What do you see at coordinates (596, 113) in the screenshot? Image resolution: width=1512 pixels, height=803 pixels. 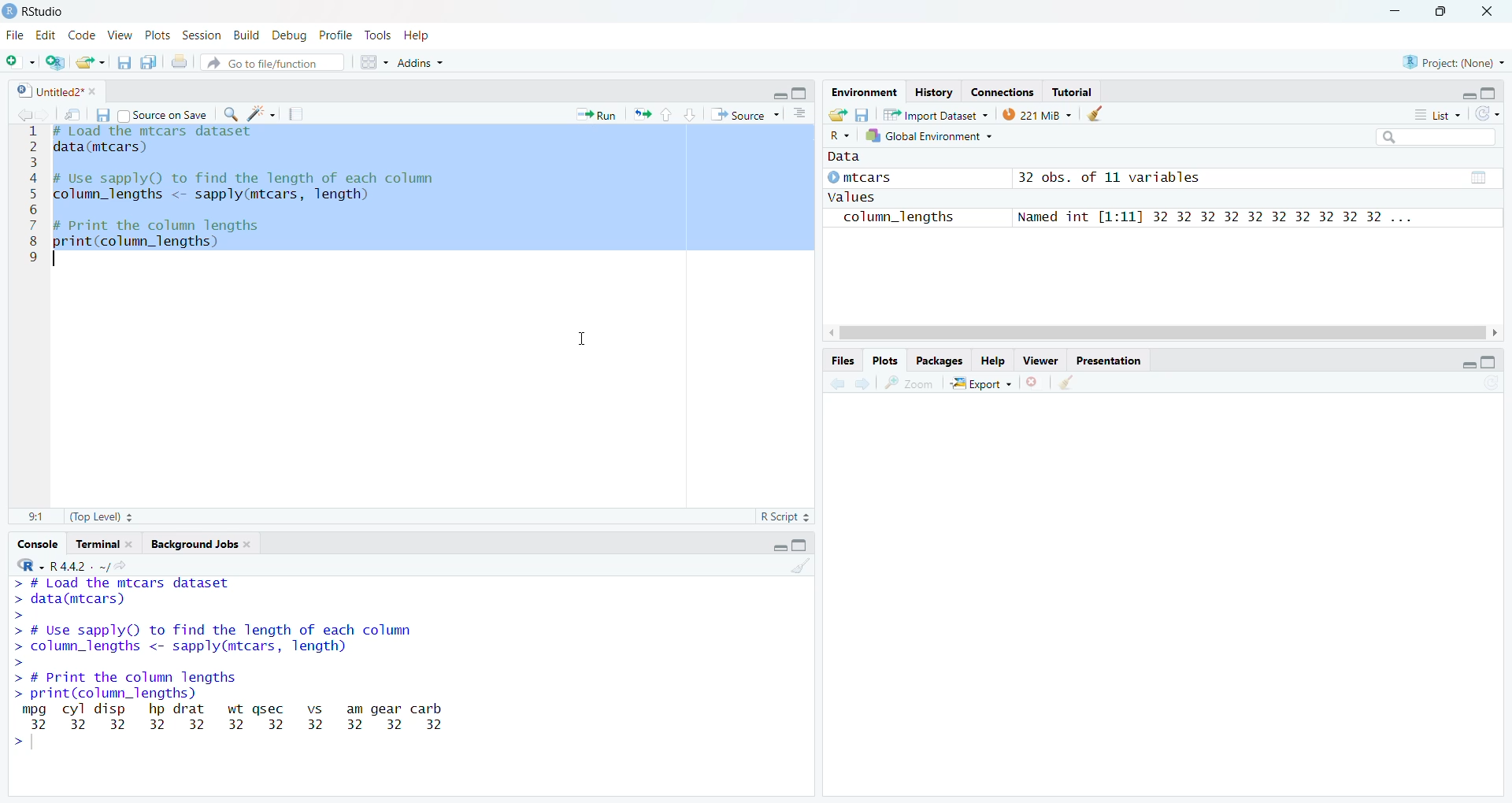 I see `Run current line or section` at bounding box center [596, 113].